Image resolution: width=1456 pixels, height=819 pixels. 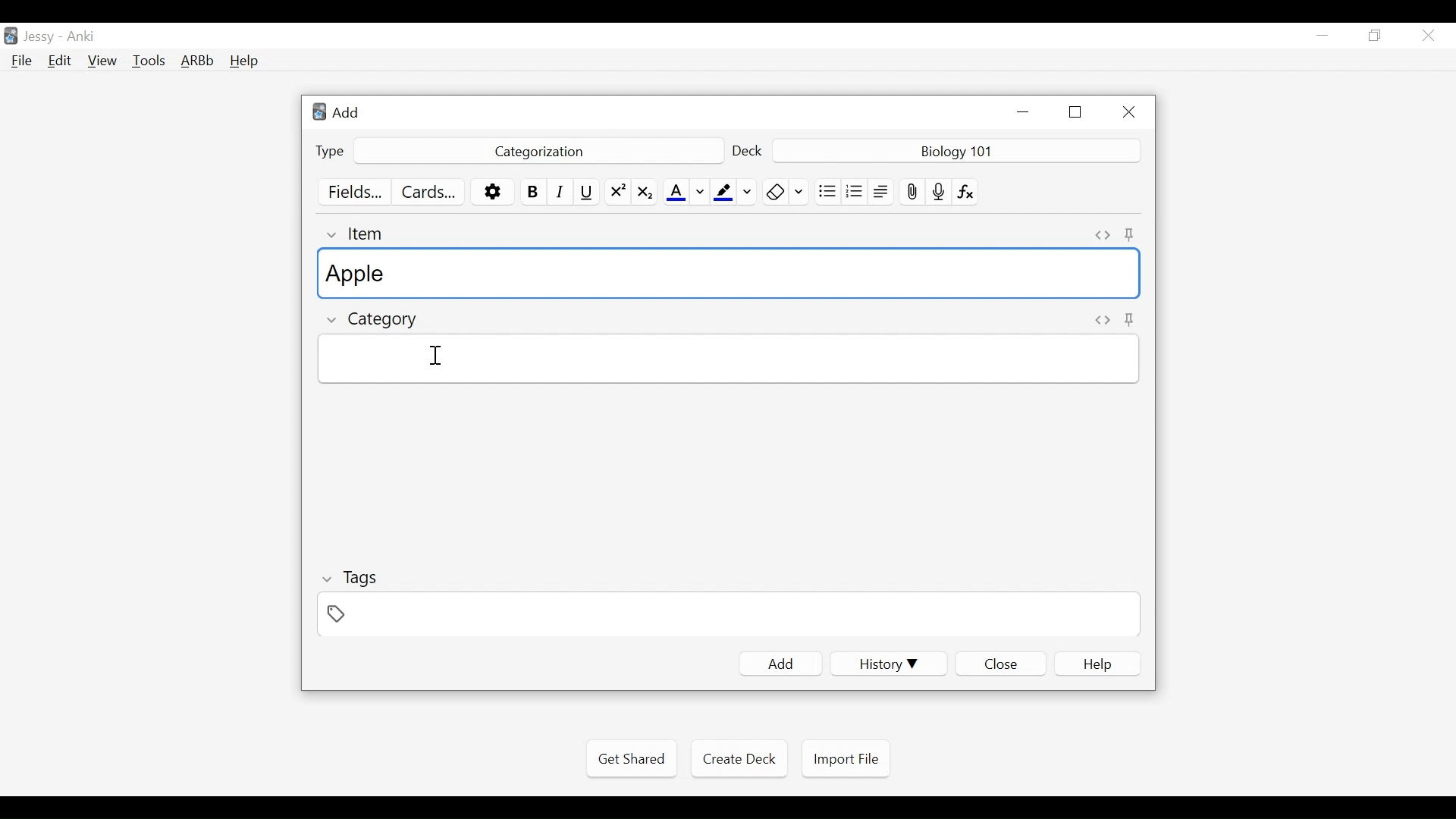 I want to click on History, so click(x=888, y=664).